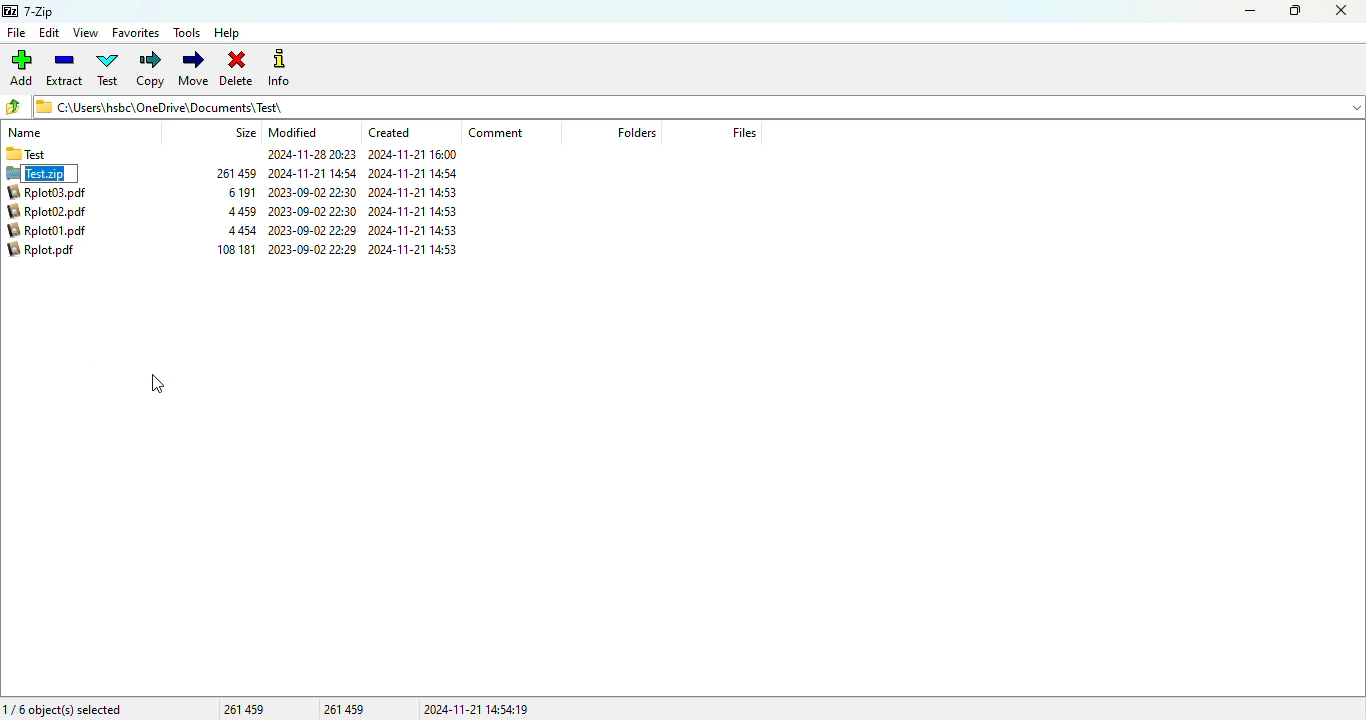  I want to click on 2024-11-21 14:53, so click(416, 249).